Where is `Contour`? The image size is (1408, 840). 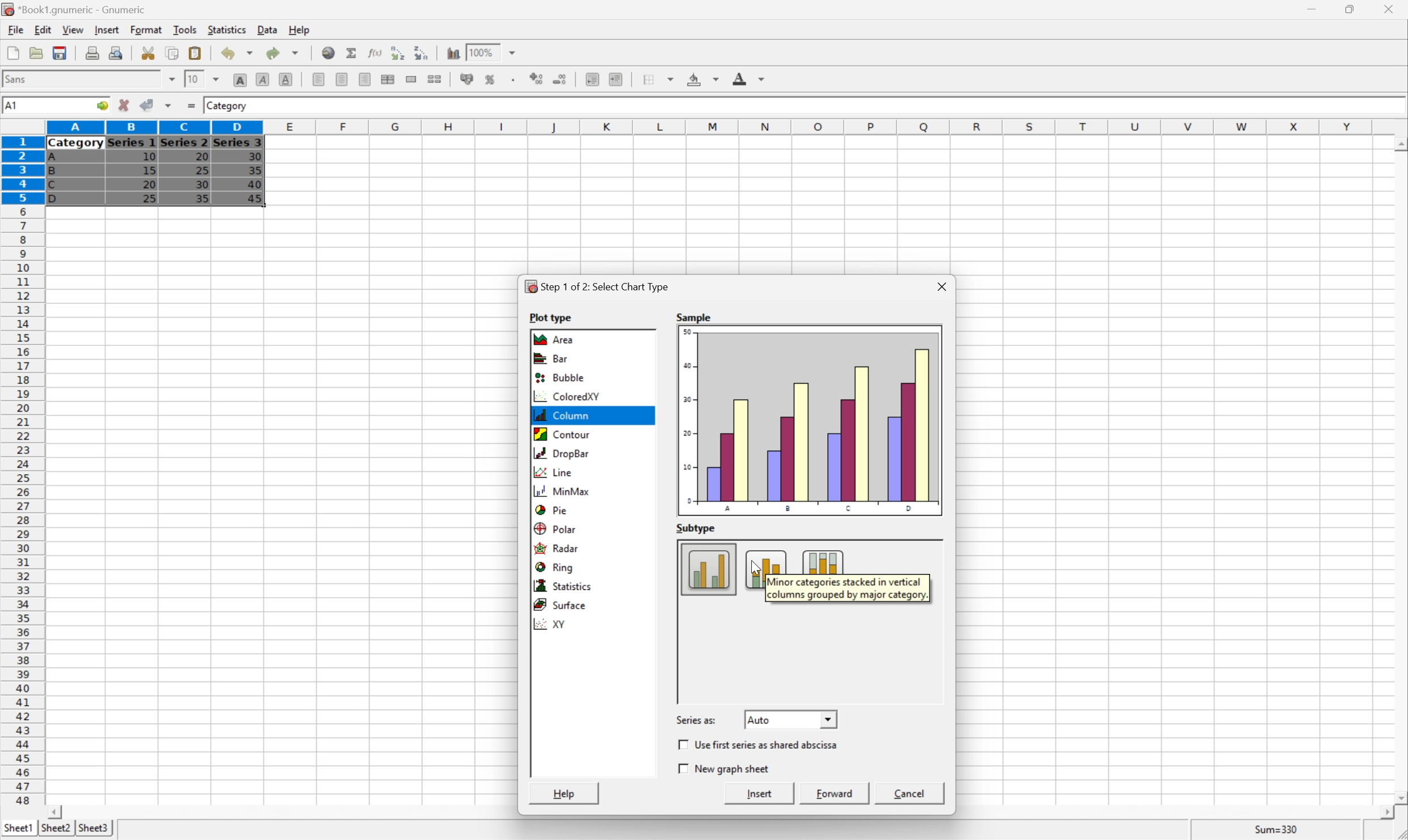 Contour is located at coordinates (563, 433).